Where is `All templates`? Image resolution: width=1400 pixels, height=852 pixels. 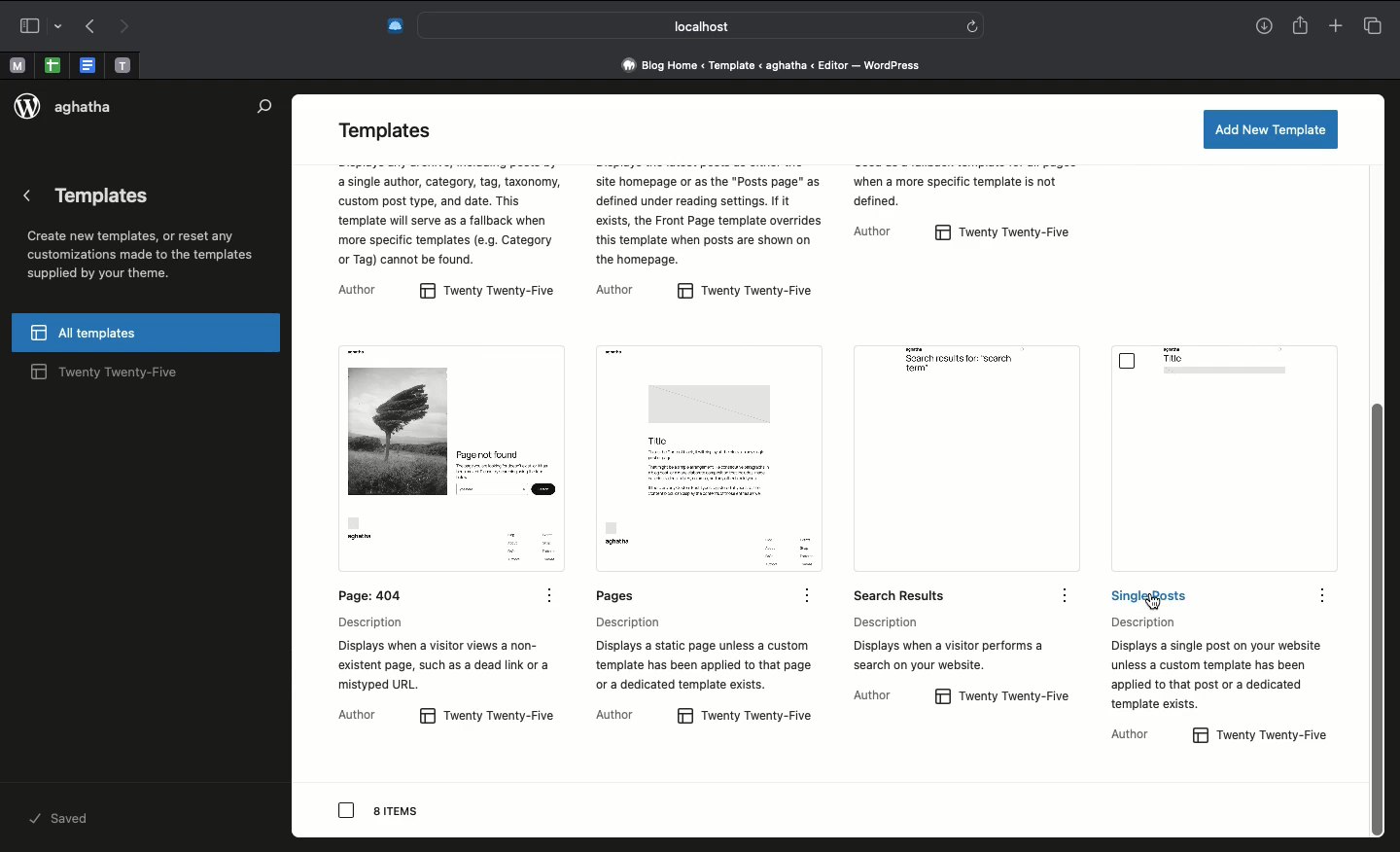 All templates is located at coordinates (148, 333).